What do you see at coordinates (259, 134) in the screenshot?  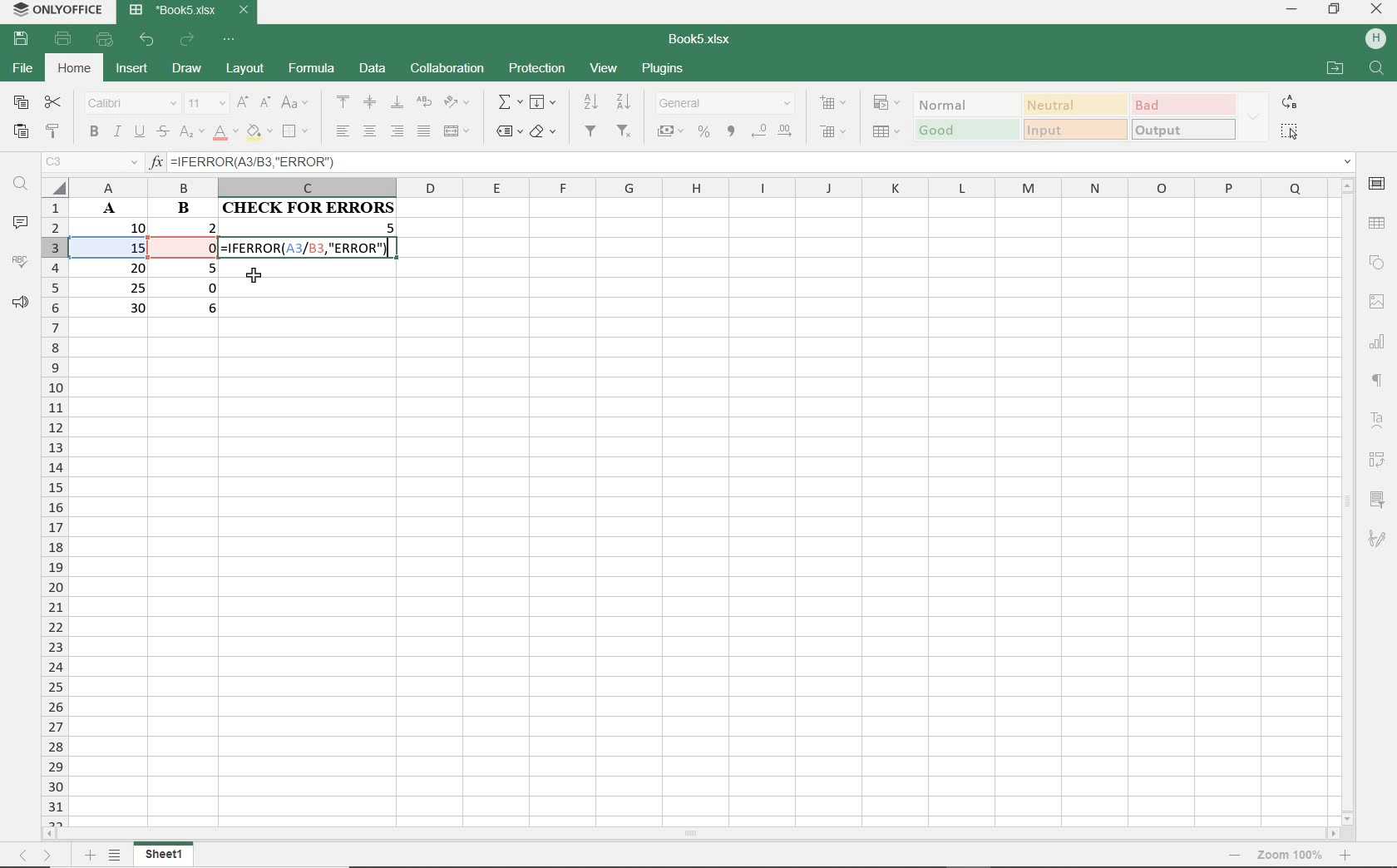 I see `FILL COLOR` at bounding box center [259, 134].